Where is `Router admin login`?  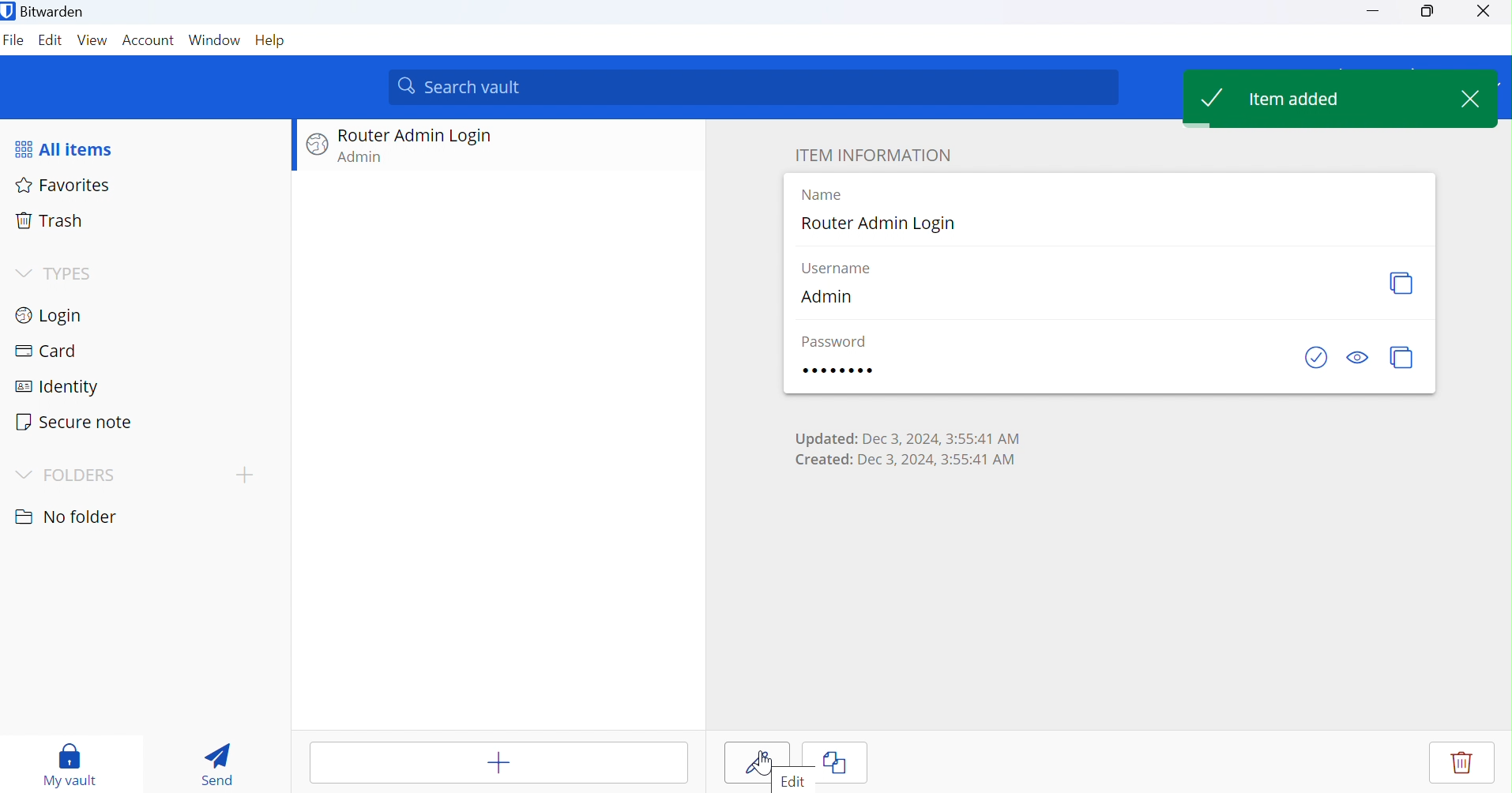
Router admin login is located at coordinates (418, 135).